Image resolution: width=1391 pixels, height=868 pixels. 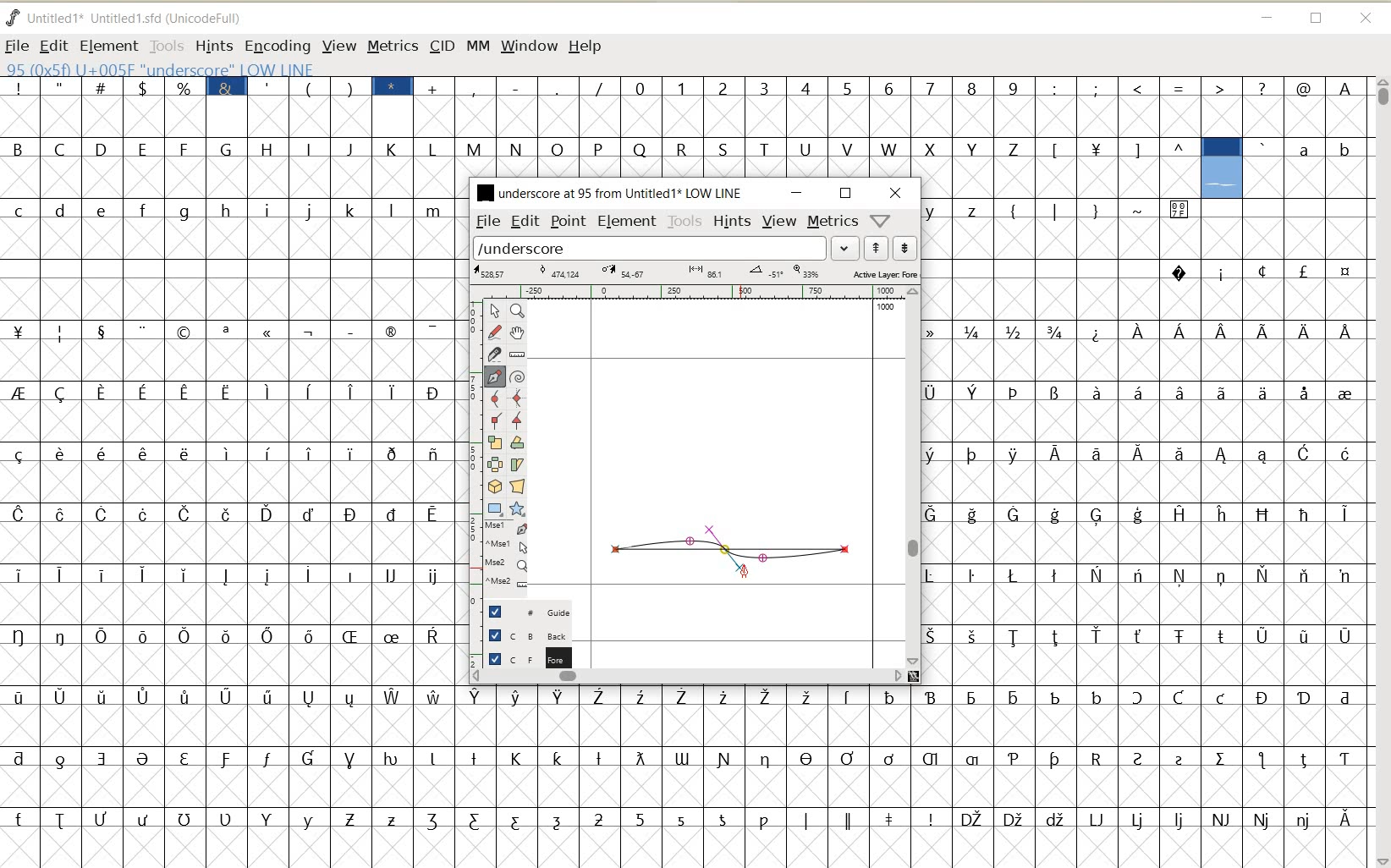 I want to click on FONTFORGE, so click(x=13, y=17).